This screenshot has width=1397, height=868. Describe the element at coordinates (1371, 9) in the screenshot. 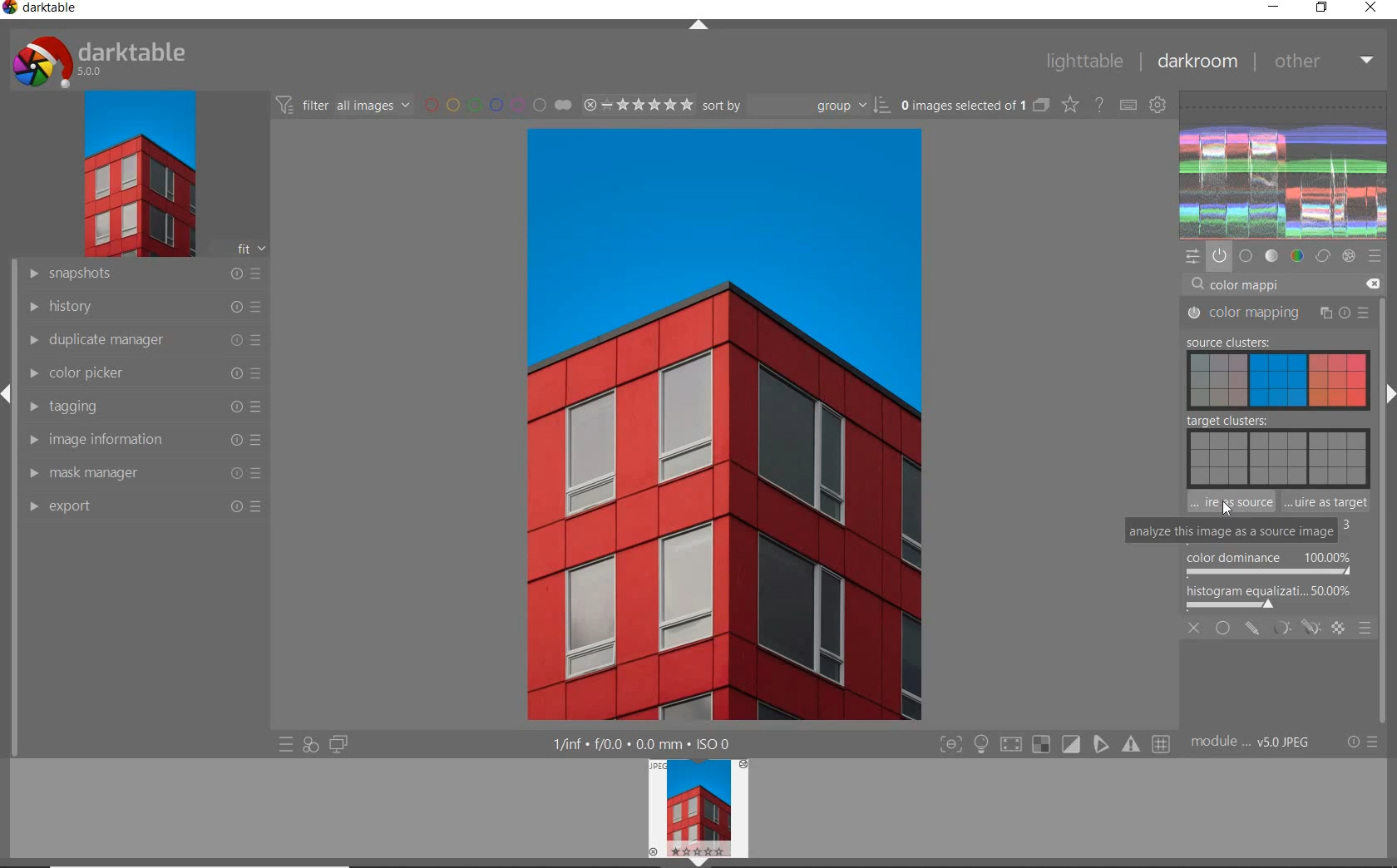

I see `close` at that location.